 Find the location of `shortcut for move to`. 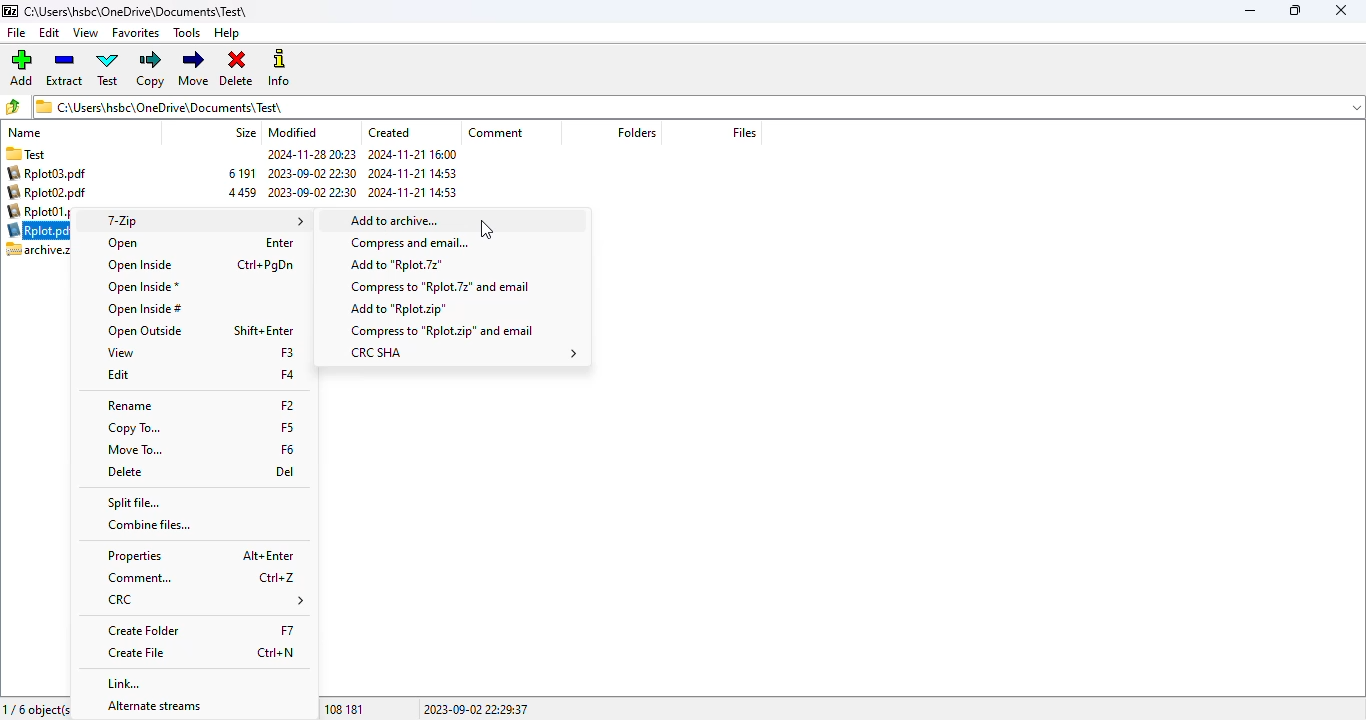

shortcut for move to is located at coordinates (289, 450).